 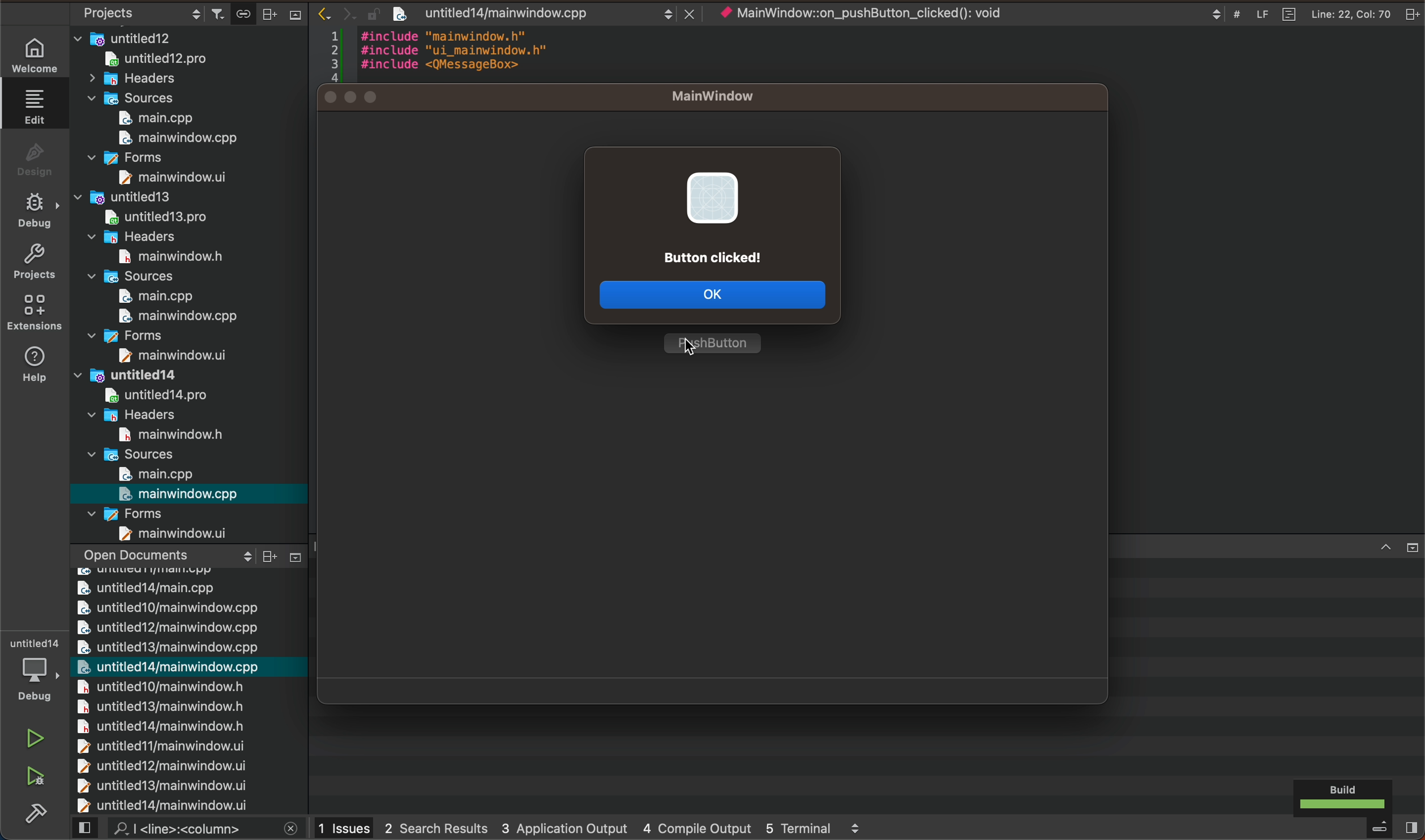 I want to click on untitled12.pro, so click(x=180, y=60).